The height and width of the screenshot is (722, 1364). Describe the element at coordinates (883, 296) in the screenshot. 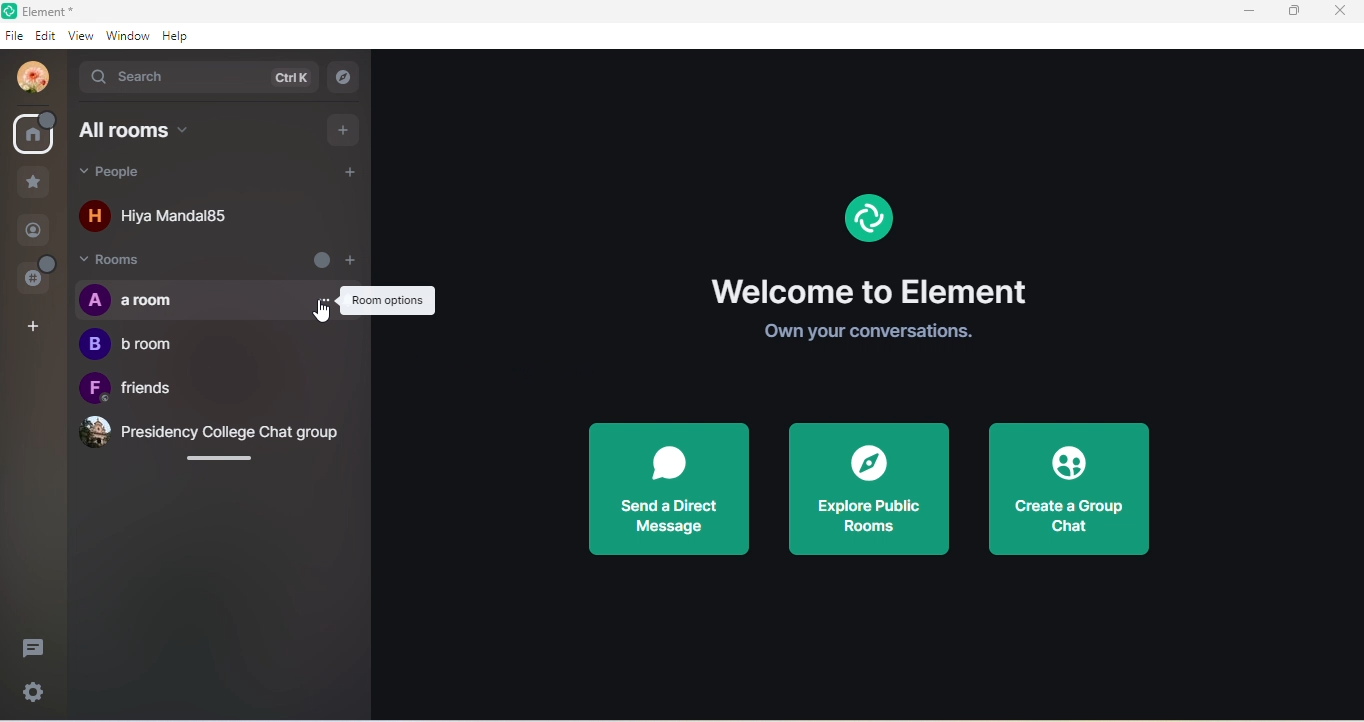

I see `welcome to element` at that location.